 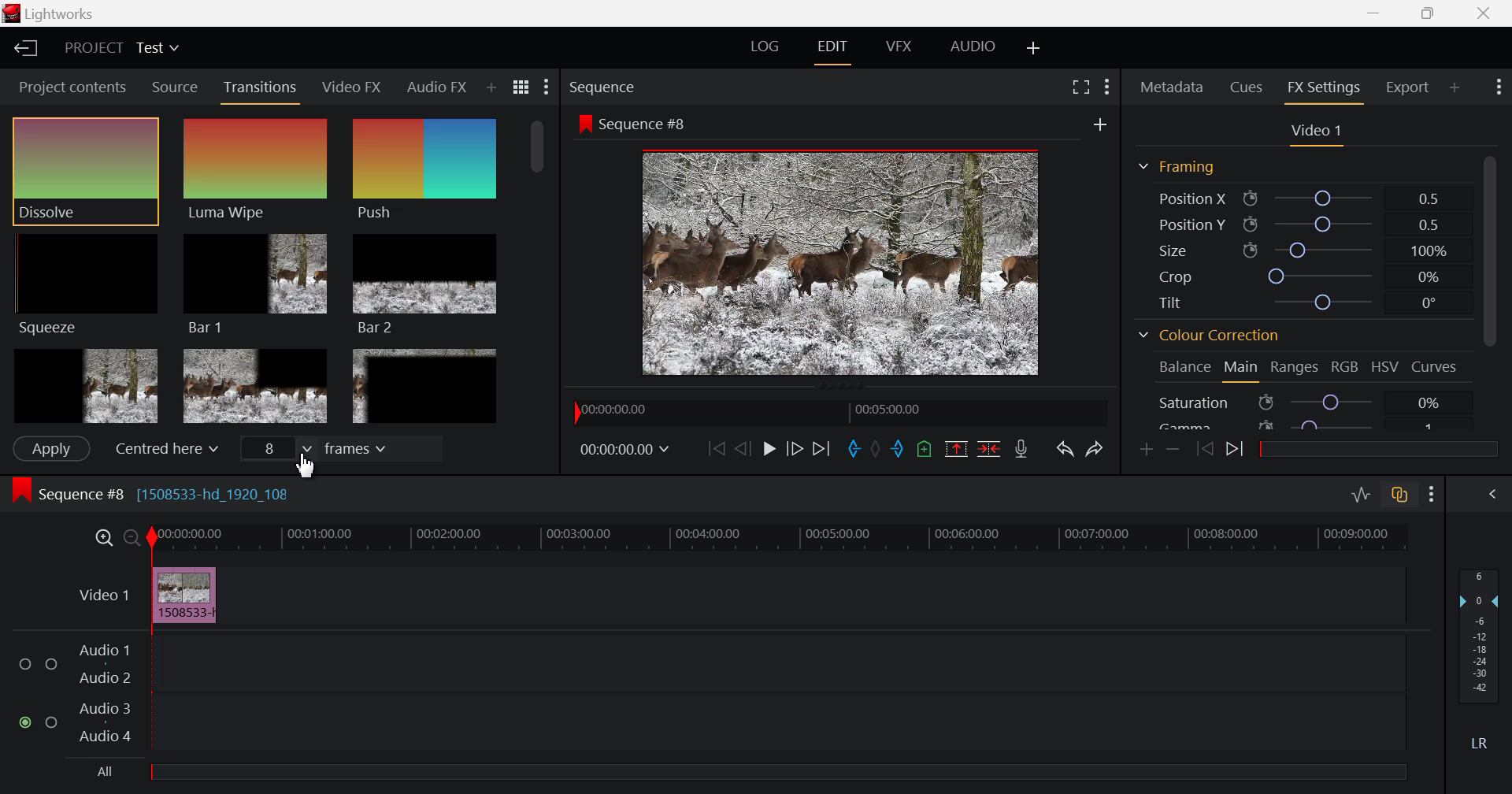 What do you see at coordinates (1494, 287) in the screenshot?
I see `Scroll Bar` at bounding box center [1494, 287].